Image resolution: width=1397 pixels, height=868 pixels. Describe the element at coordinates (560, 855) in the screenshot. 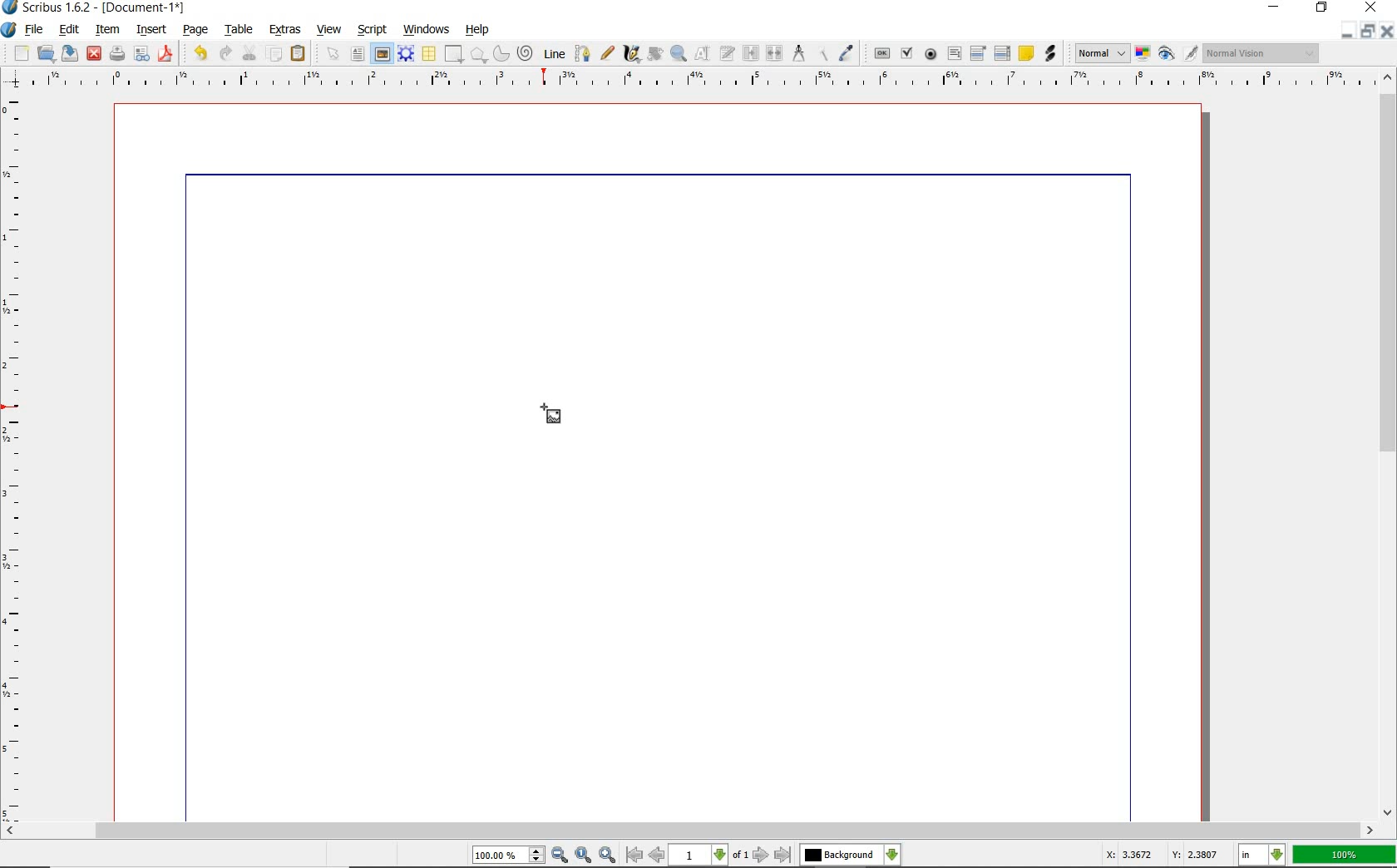

I see `Zoom Out` at that location.